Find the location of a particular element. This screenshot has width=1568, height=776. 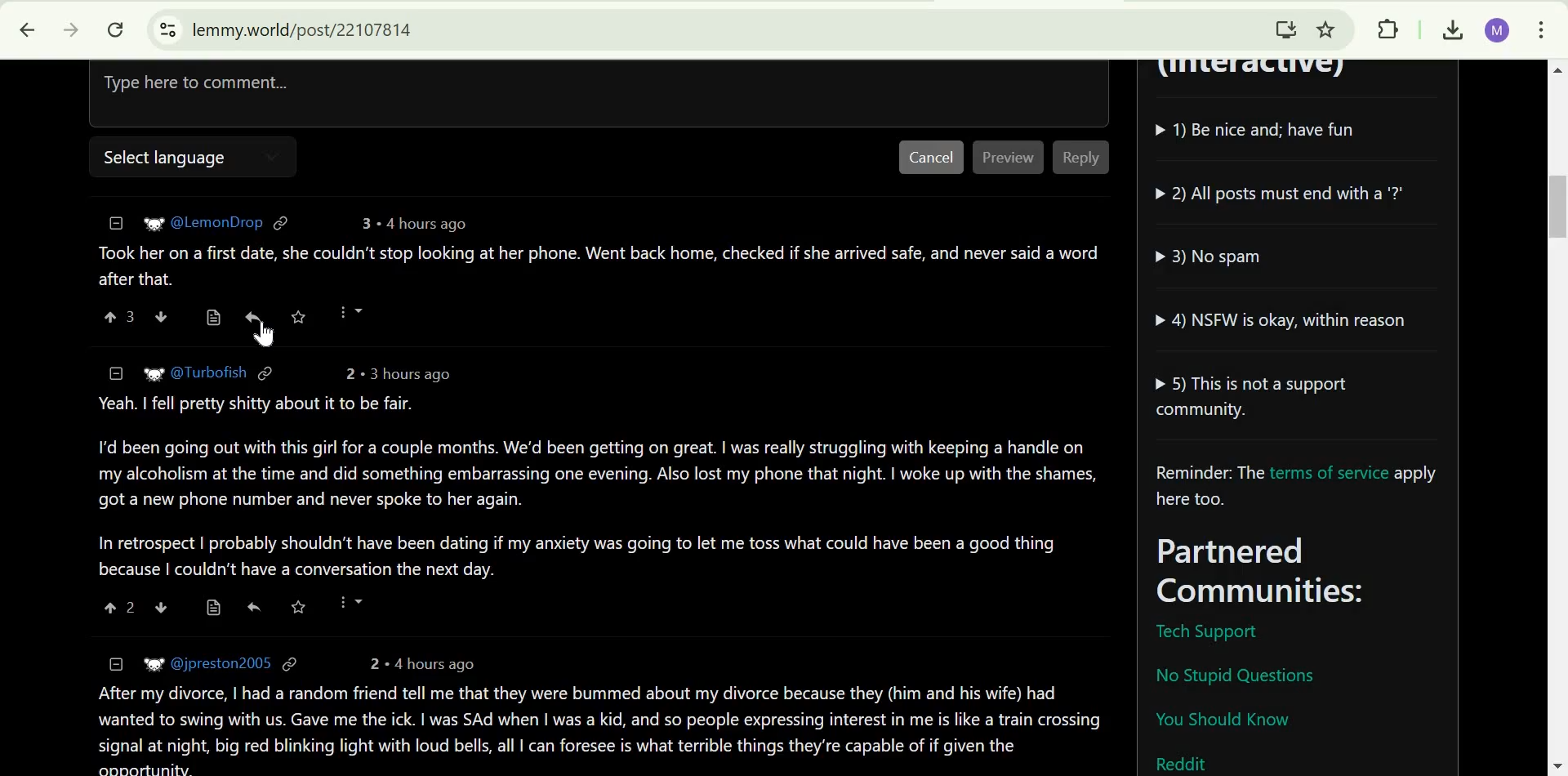

Type here to comment... is located at coordinates (427, 90).